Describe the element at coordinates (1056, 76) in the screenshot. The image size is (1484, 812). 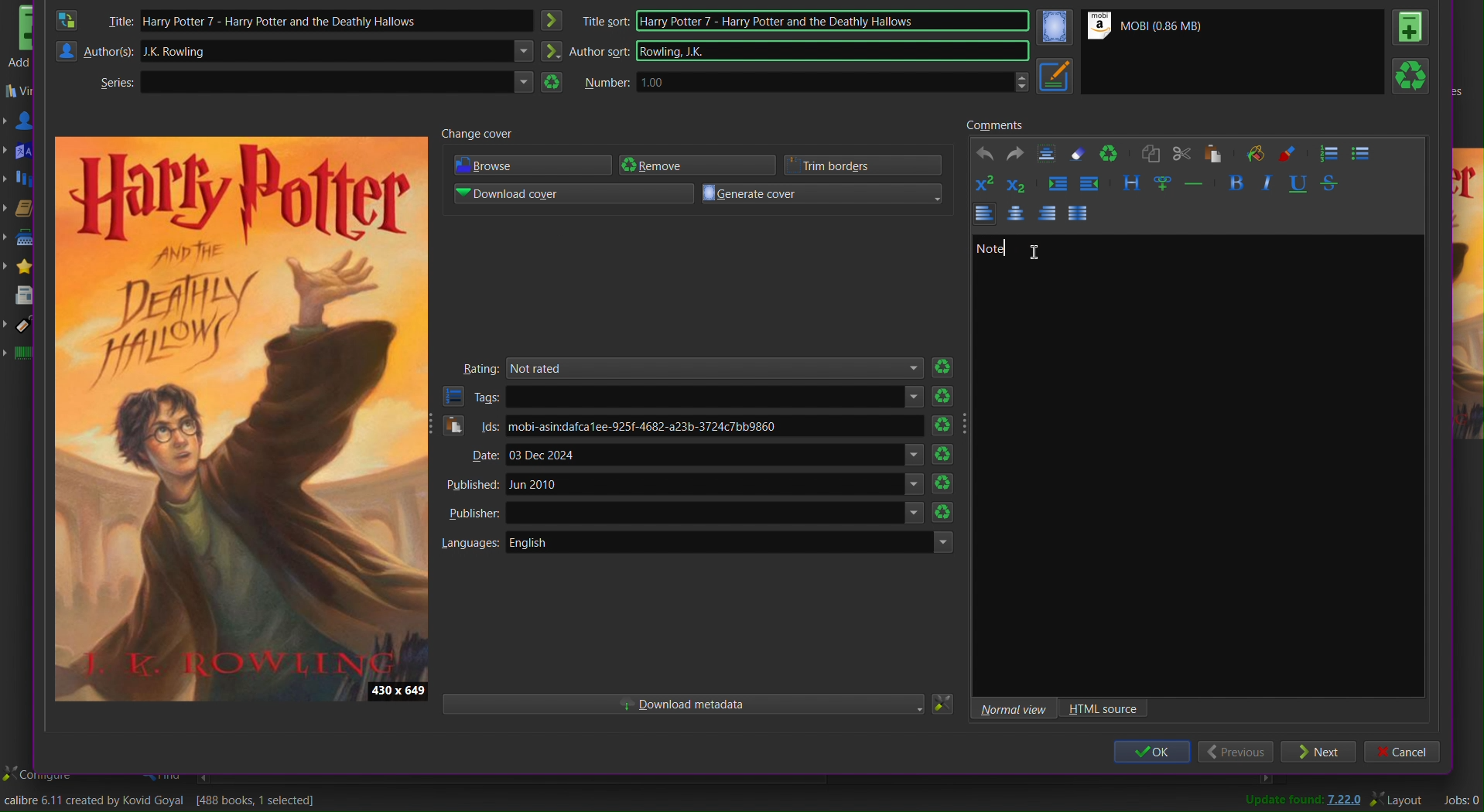
I see `Metadata` at that location.